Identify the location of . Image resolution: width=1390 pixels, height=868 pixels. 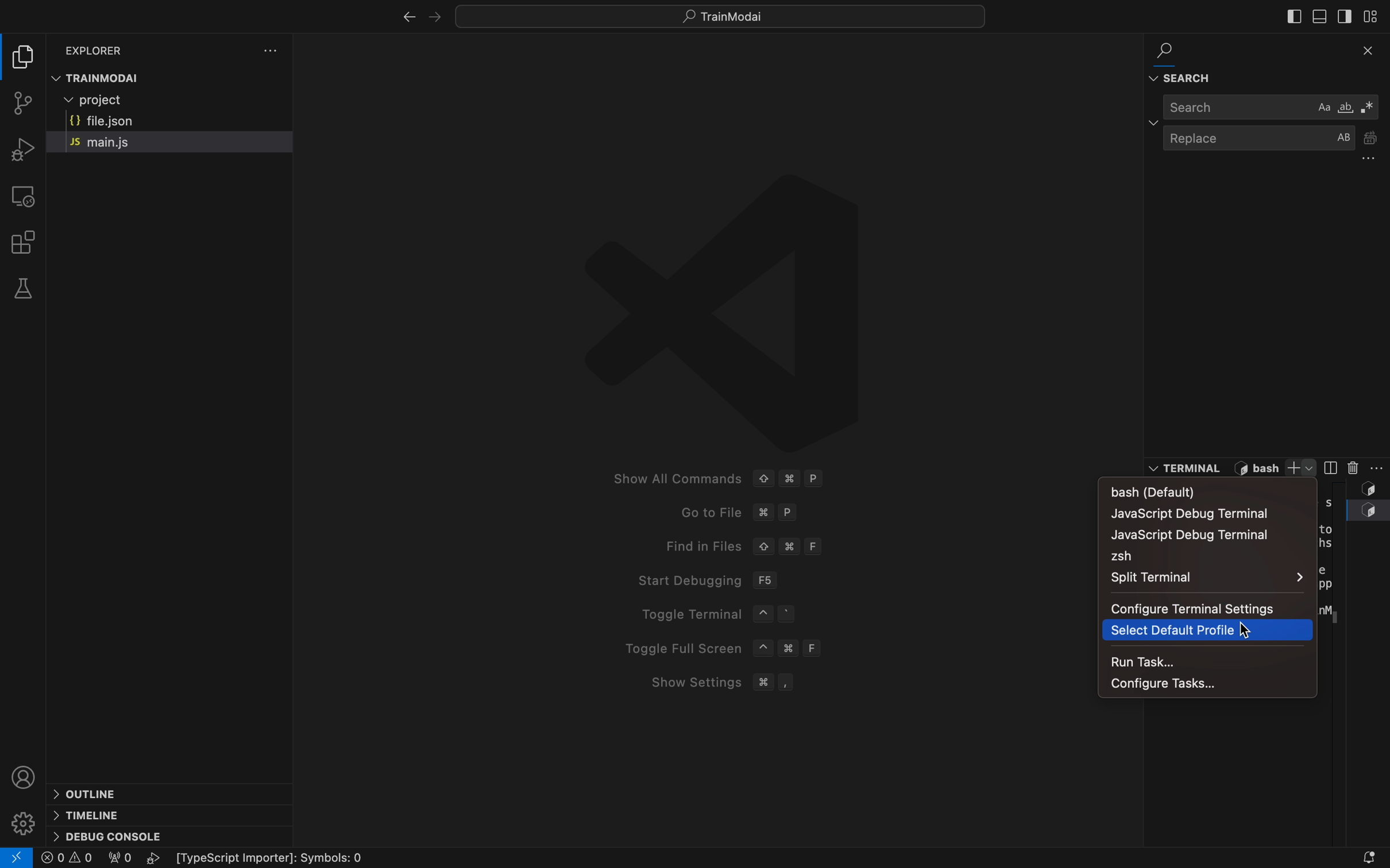
(1218, 535).